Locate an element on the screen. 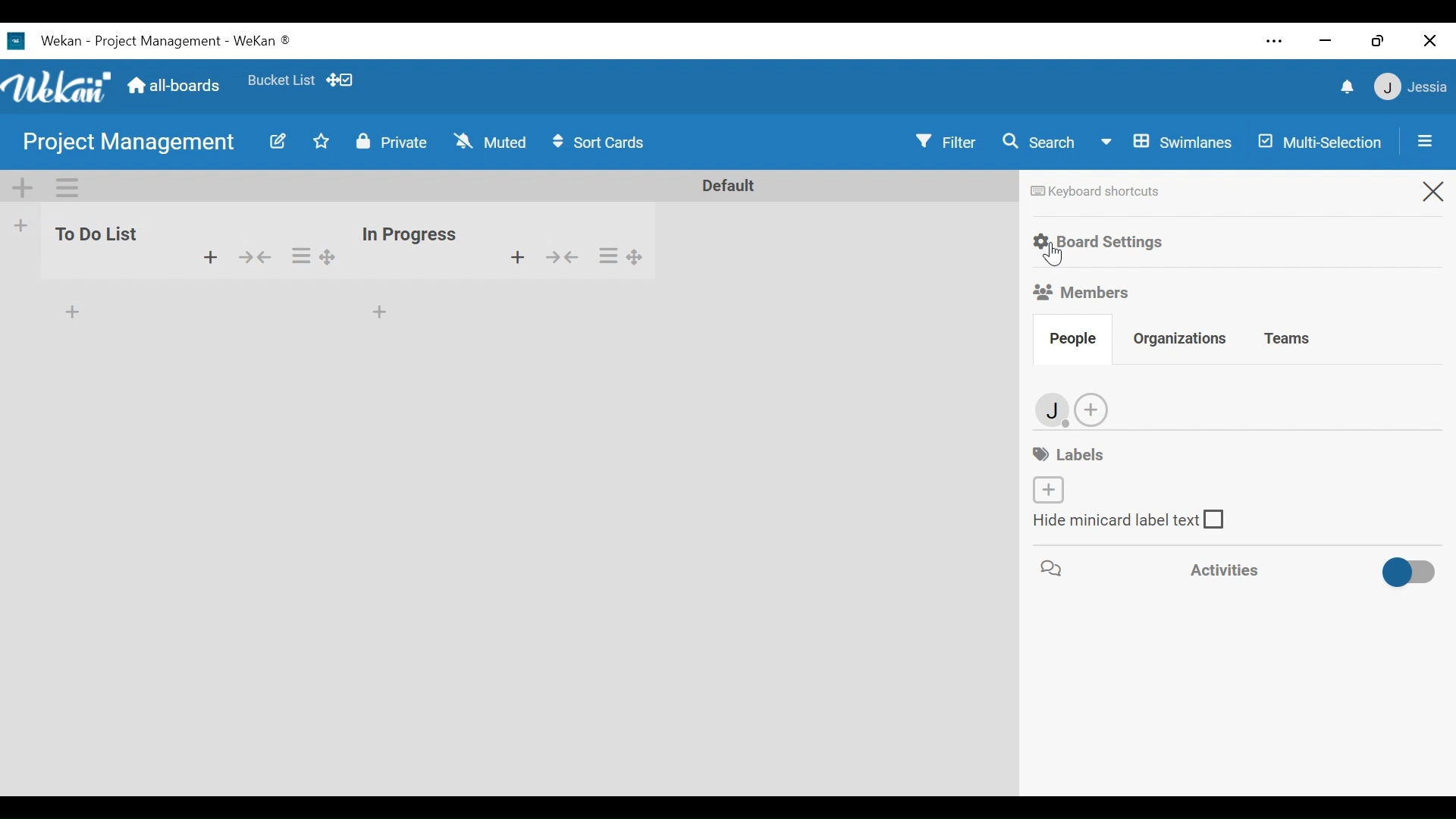  Wekan Icon is located at coordinates (61, 86).